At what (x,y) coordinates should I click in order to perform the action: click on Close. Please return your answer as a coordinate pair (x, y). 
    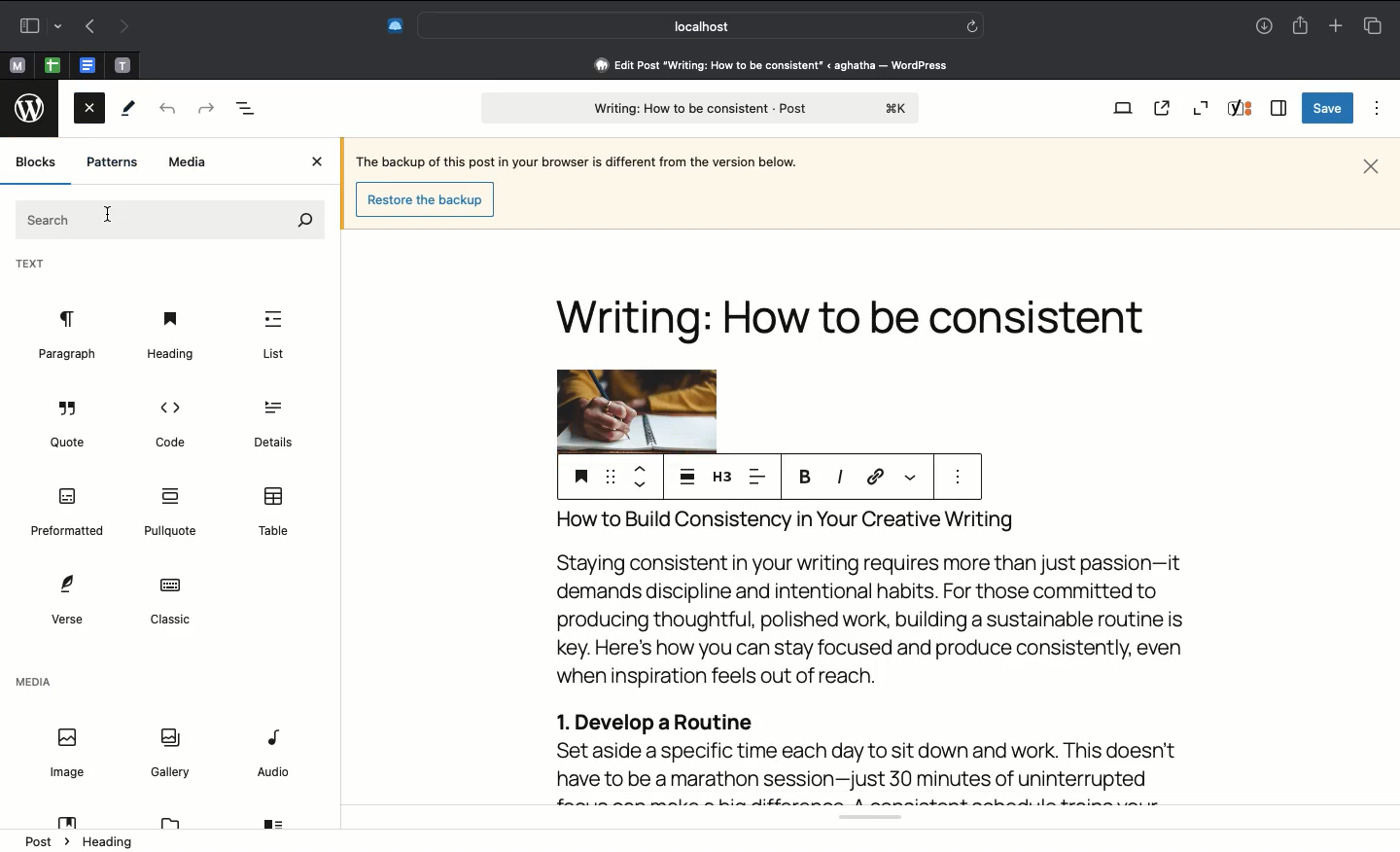
    Looking at the image, I should click on (89, 112).